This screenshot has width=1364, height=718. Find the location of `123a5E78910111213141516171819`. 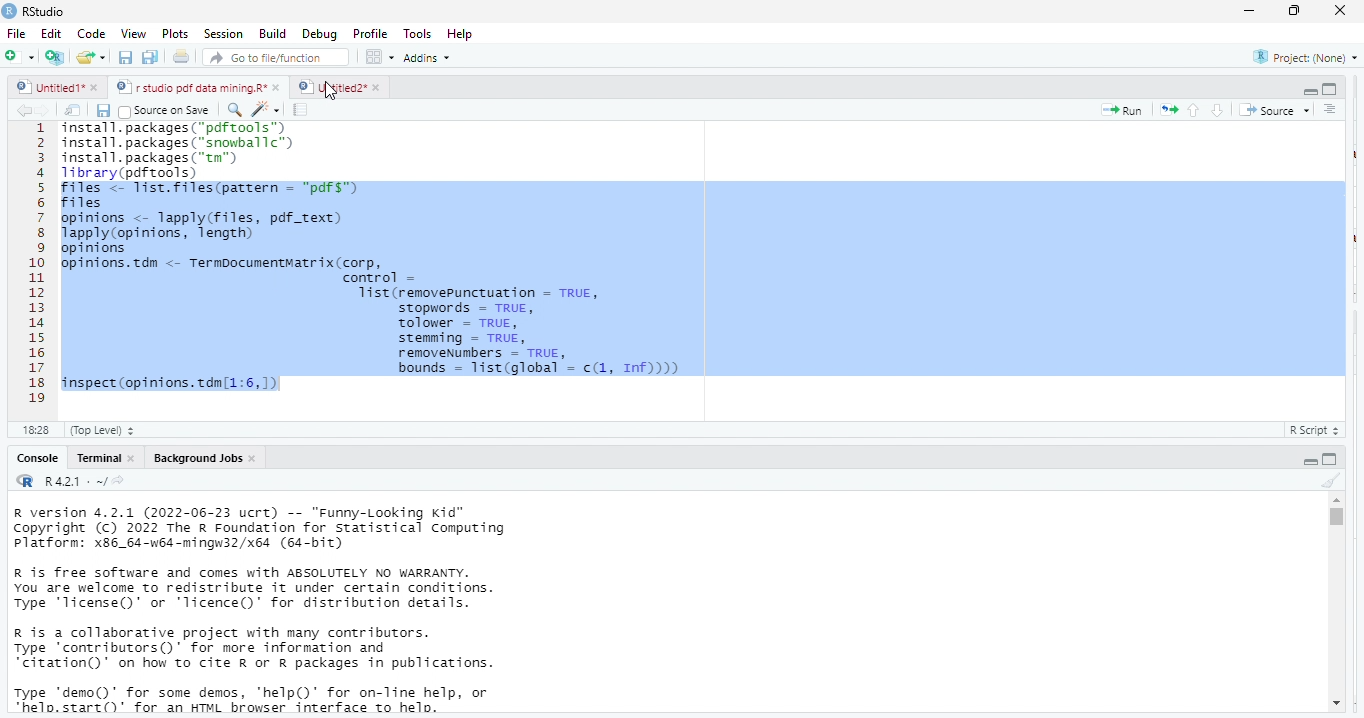

123a5E78910111213141516171819 is located at coordinates (37, 265).